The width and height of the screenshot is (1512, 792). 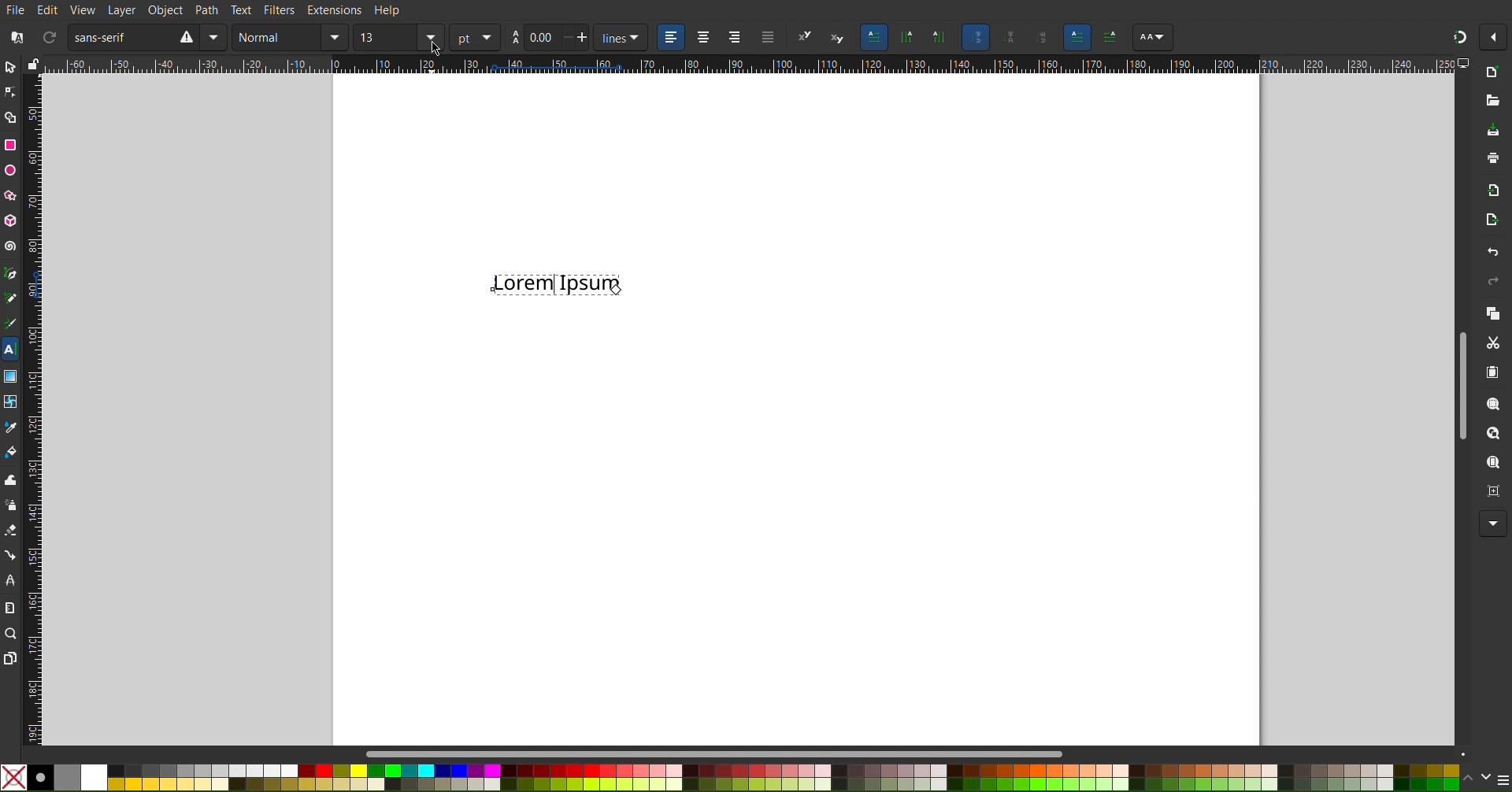 What do you see at coordinates (1493, 253) in the screenshot?
I see `Undo` at bounding box center [1493, 253].